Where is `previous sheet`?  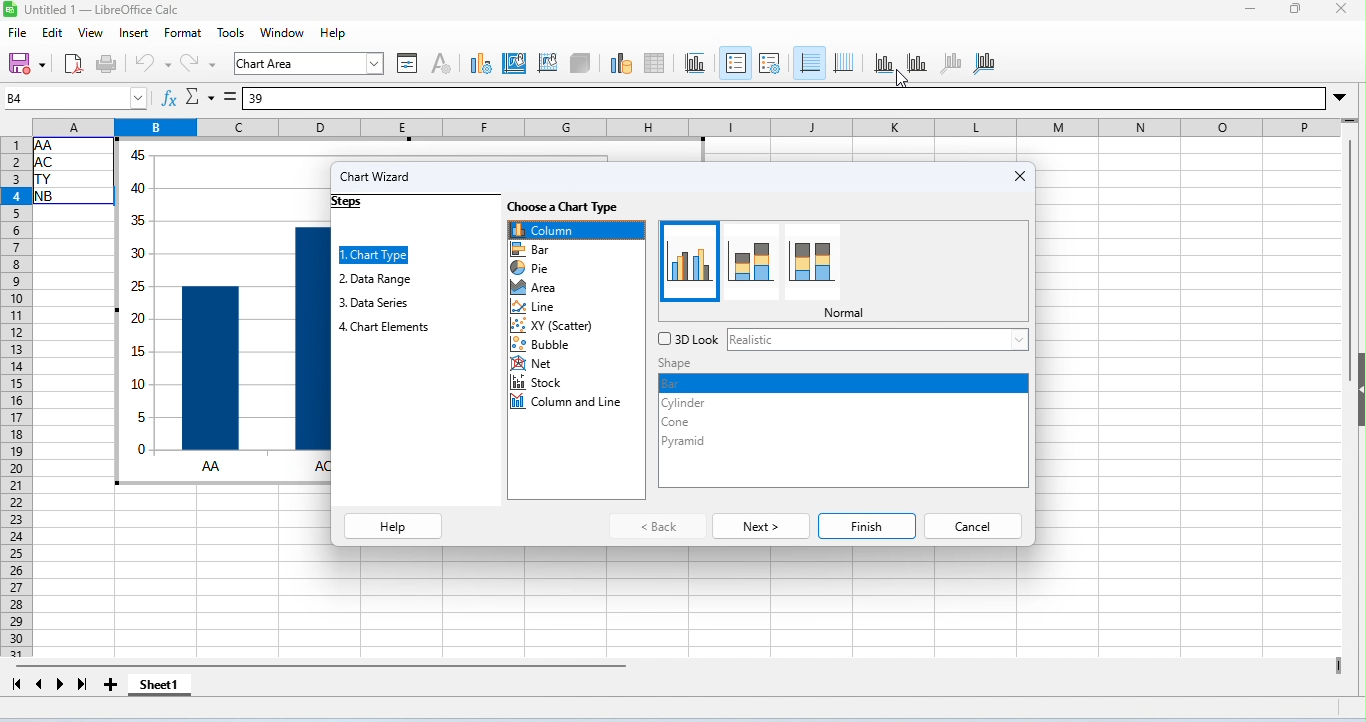
previous sheet is located at coordinates (41, 685).